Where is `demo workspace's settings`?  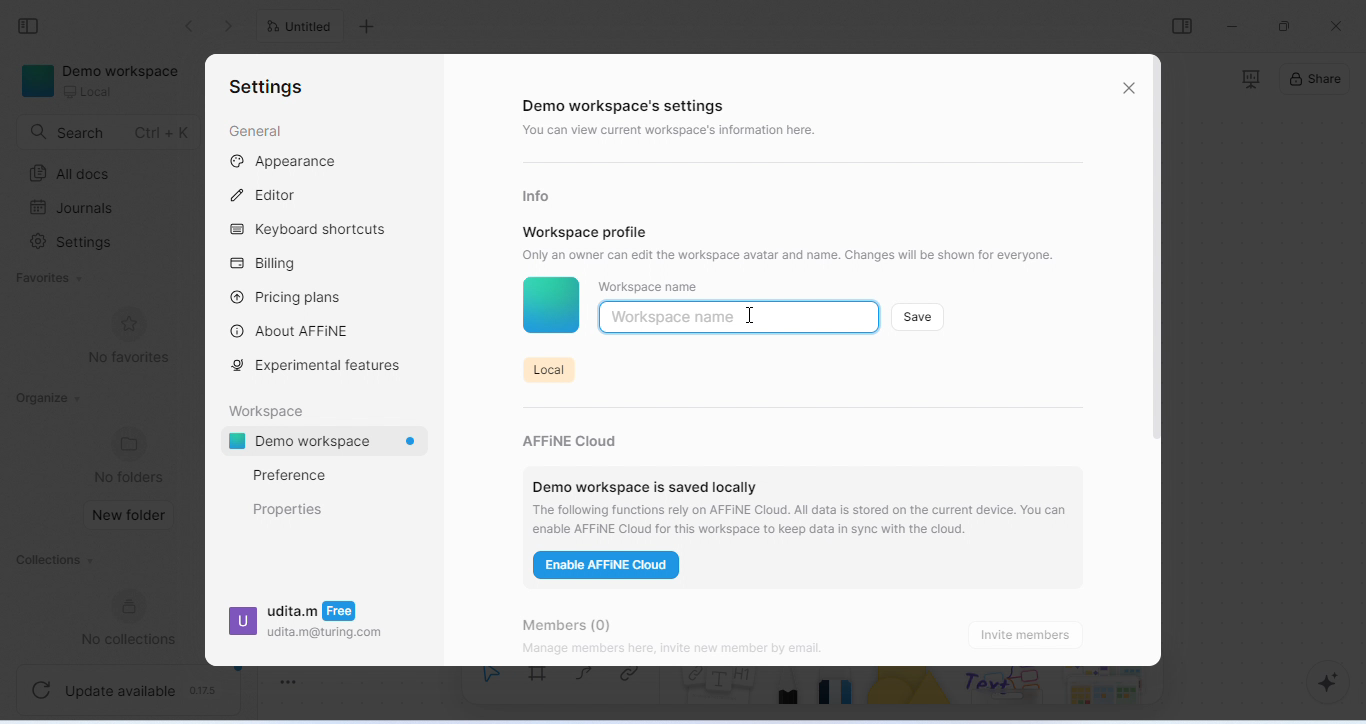
demo workspace's settings is located at coordinates (628, 107).